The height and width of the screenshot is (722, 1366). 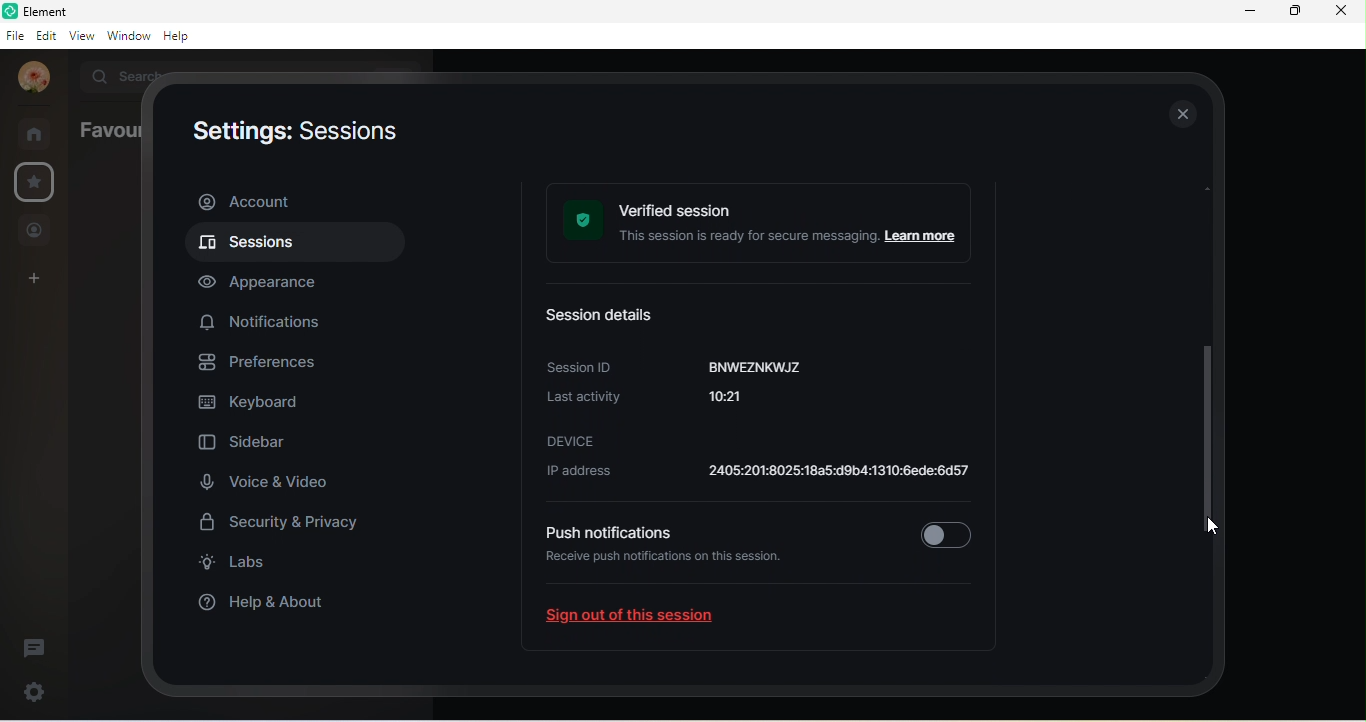 I want to click on account, so click(x=293, y=201).